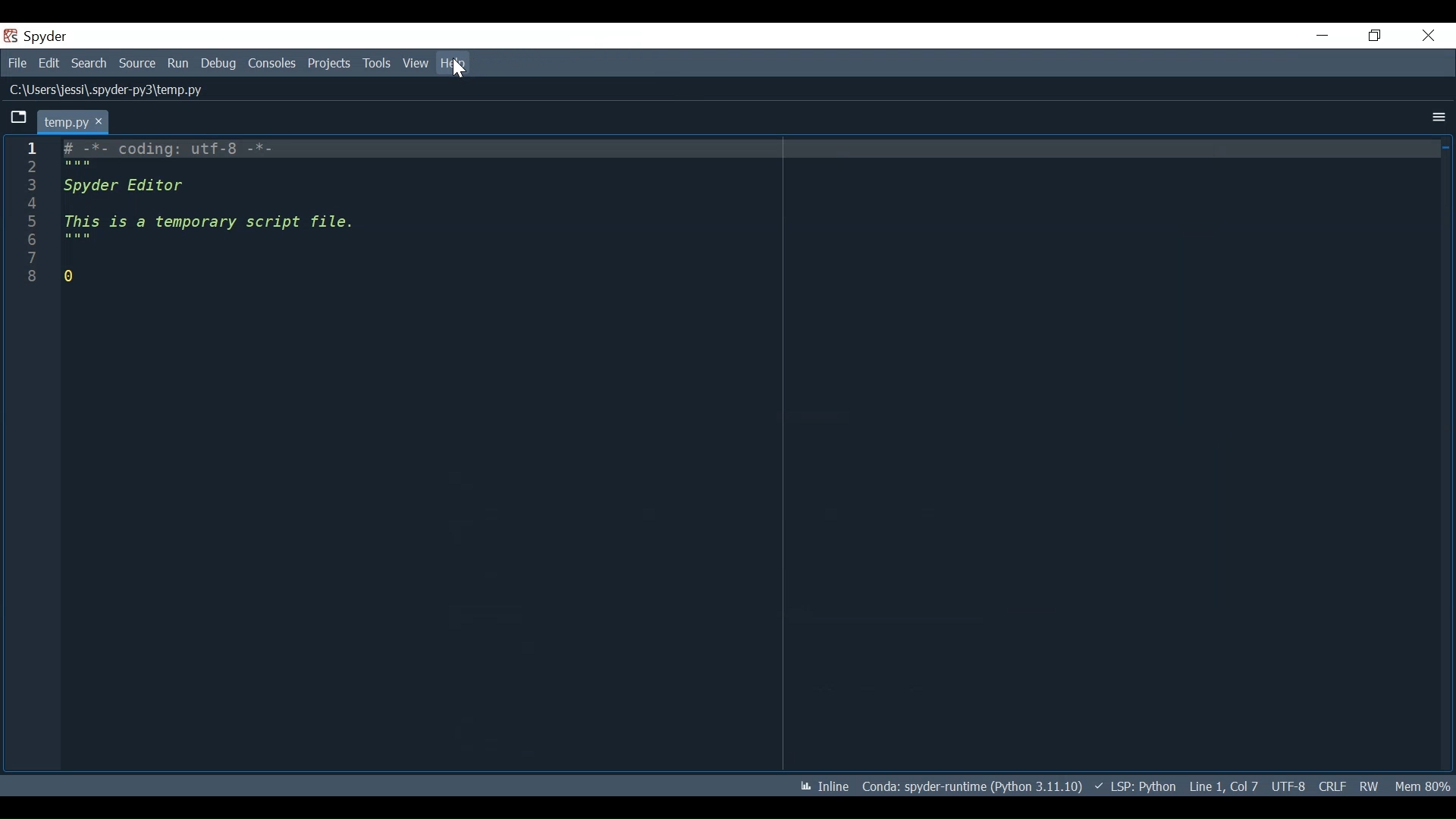 This screenshot has height=819, width=1456. I want to click on Minimize, so click(1322, 35).